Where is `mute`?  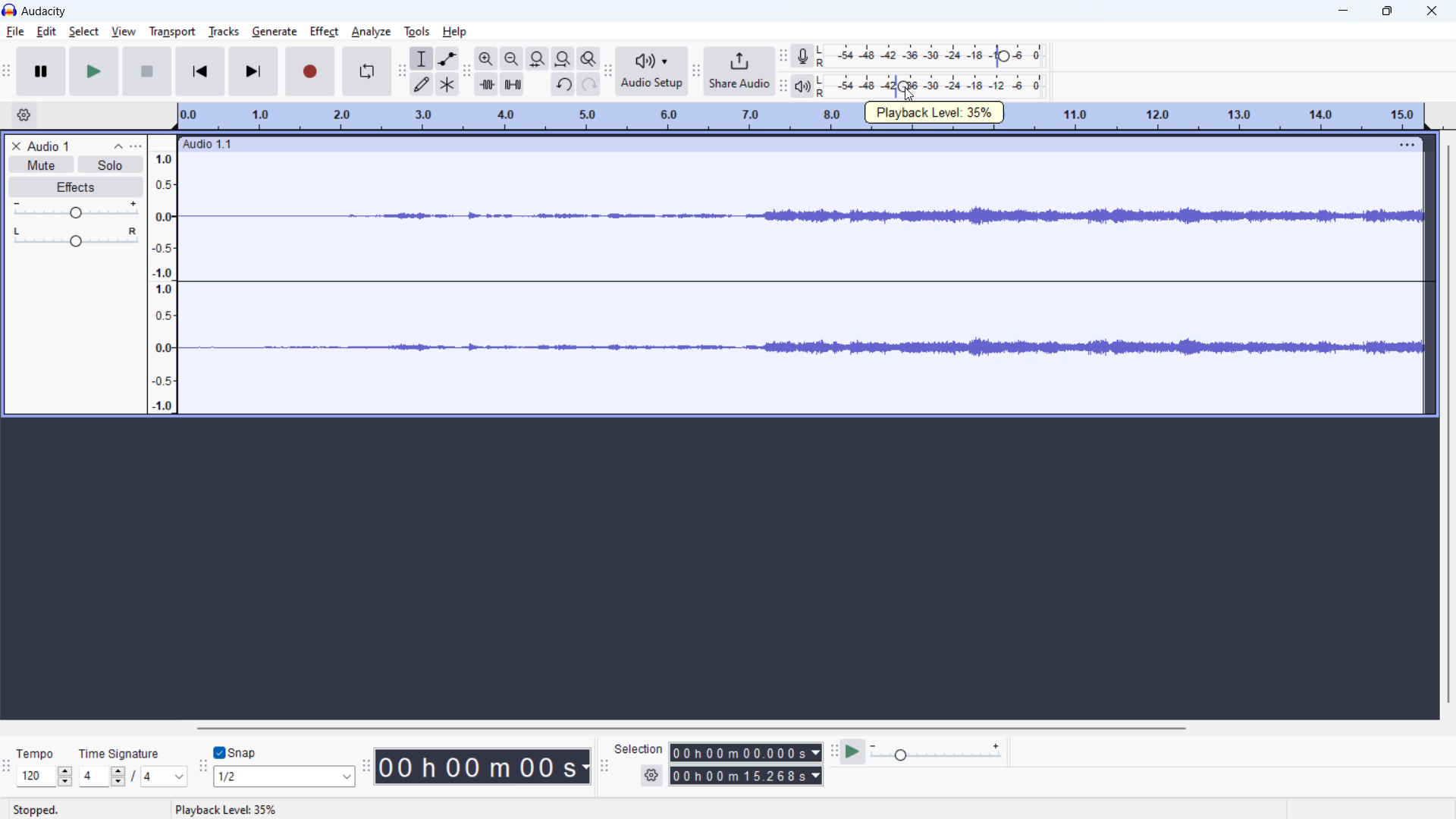 mute is located at coordinates (42, 165).